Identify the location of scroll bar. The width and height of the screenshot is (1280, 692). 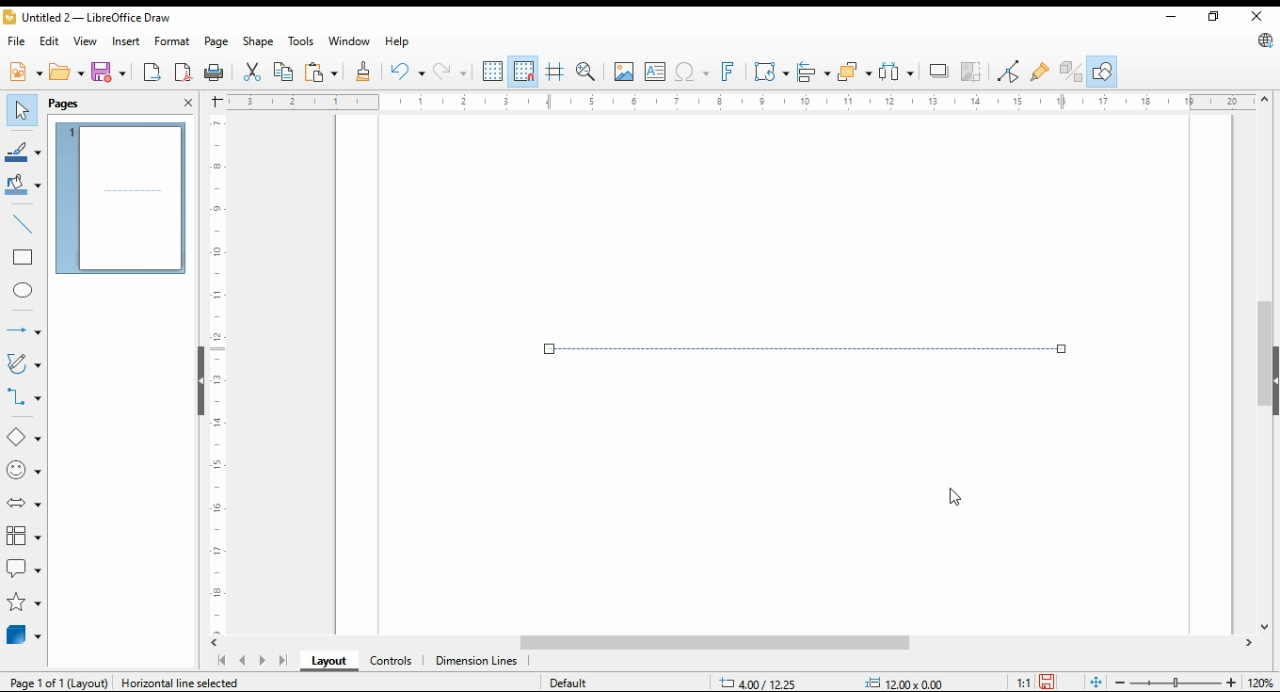
(1264, 363).